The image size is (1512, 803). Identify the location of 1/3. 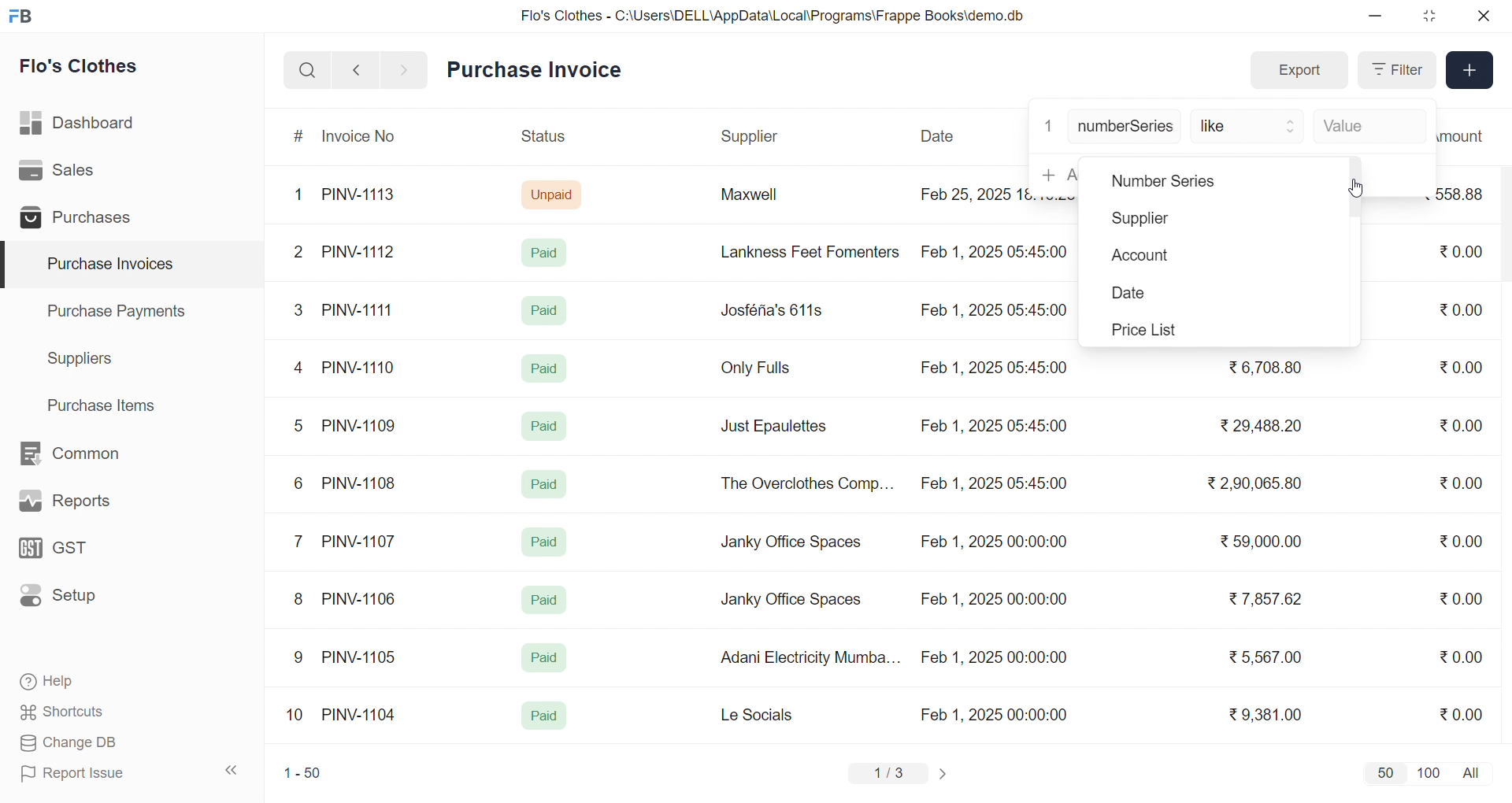
(889, 775).